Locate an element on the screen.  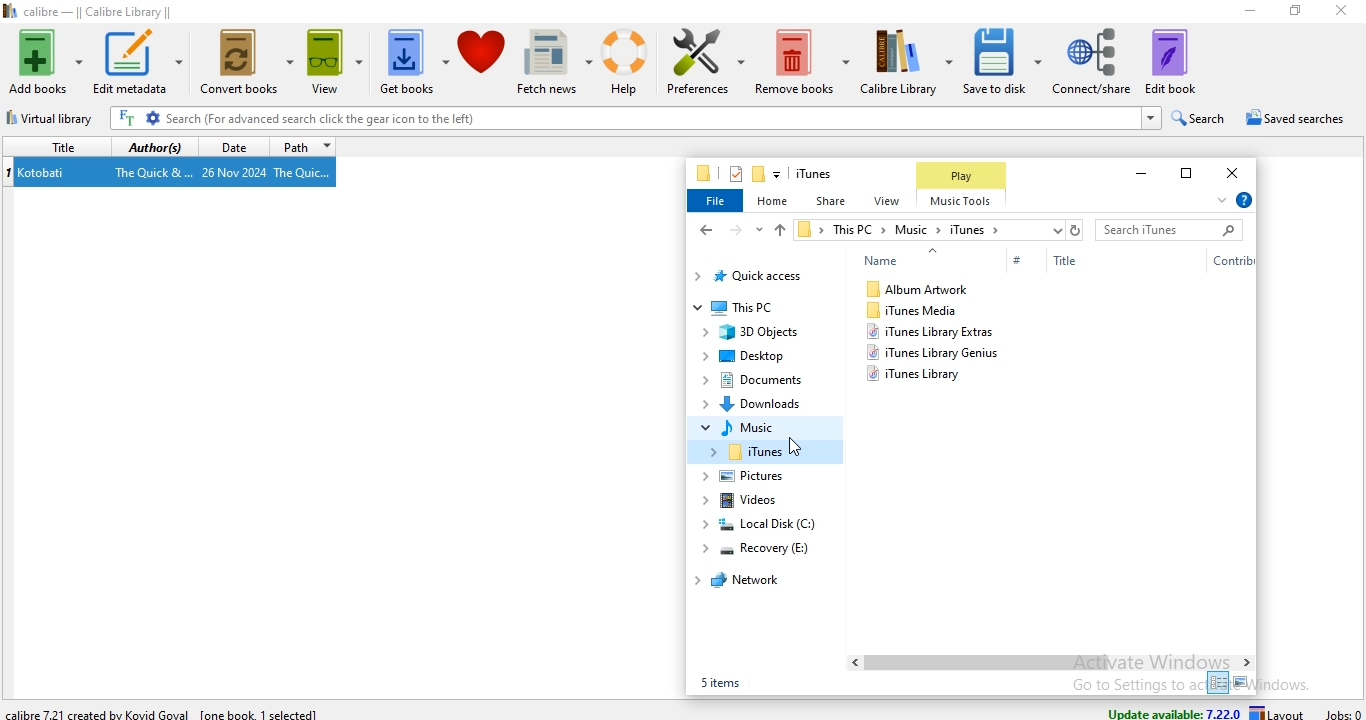
local disk (C:) is located at coordinates (754, 527).